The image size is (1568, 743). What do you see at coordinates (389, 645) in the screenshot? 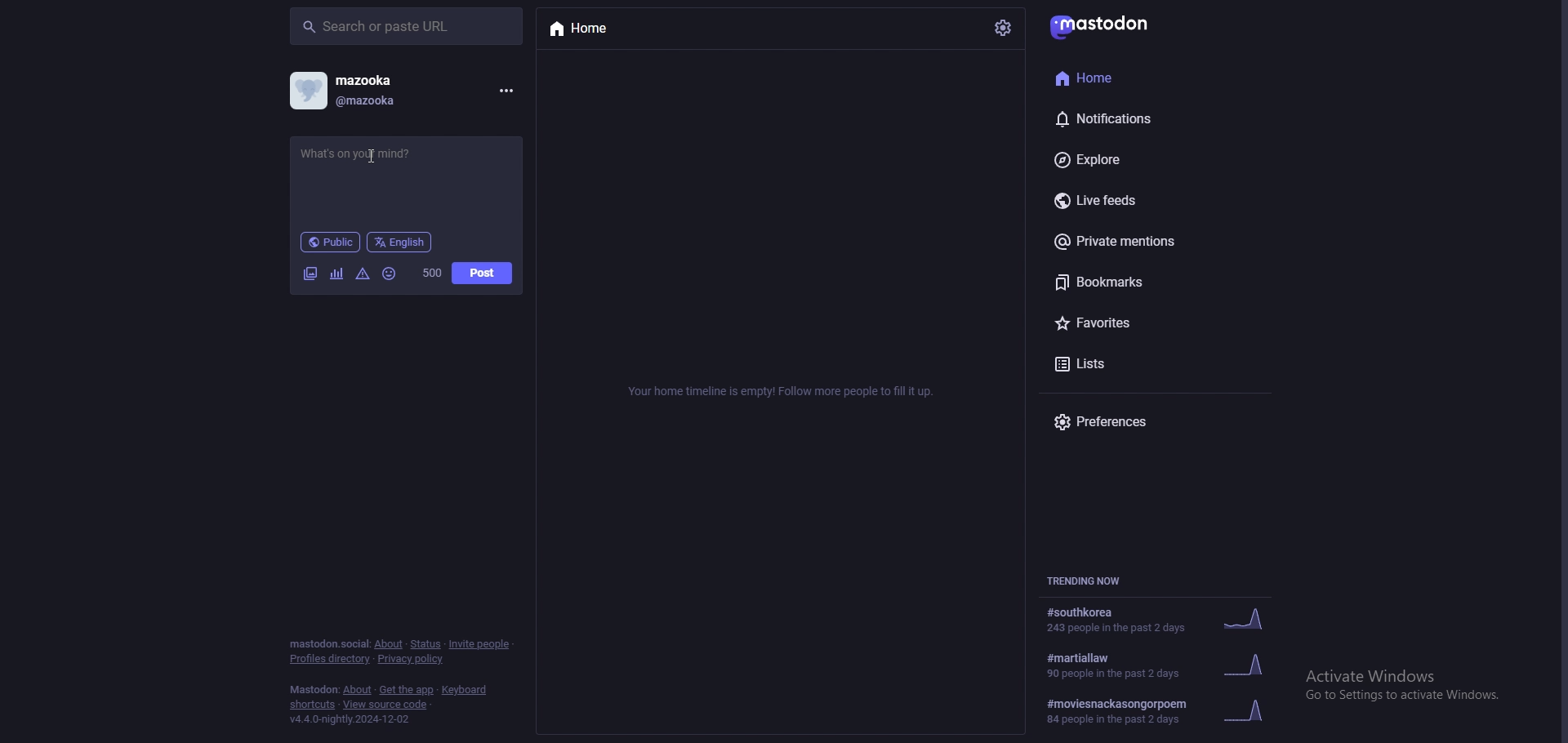
I see `about` at bounding box center [389, 645].